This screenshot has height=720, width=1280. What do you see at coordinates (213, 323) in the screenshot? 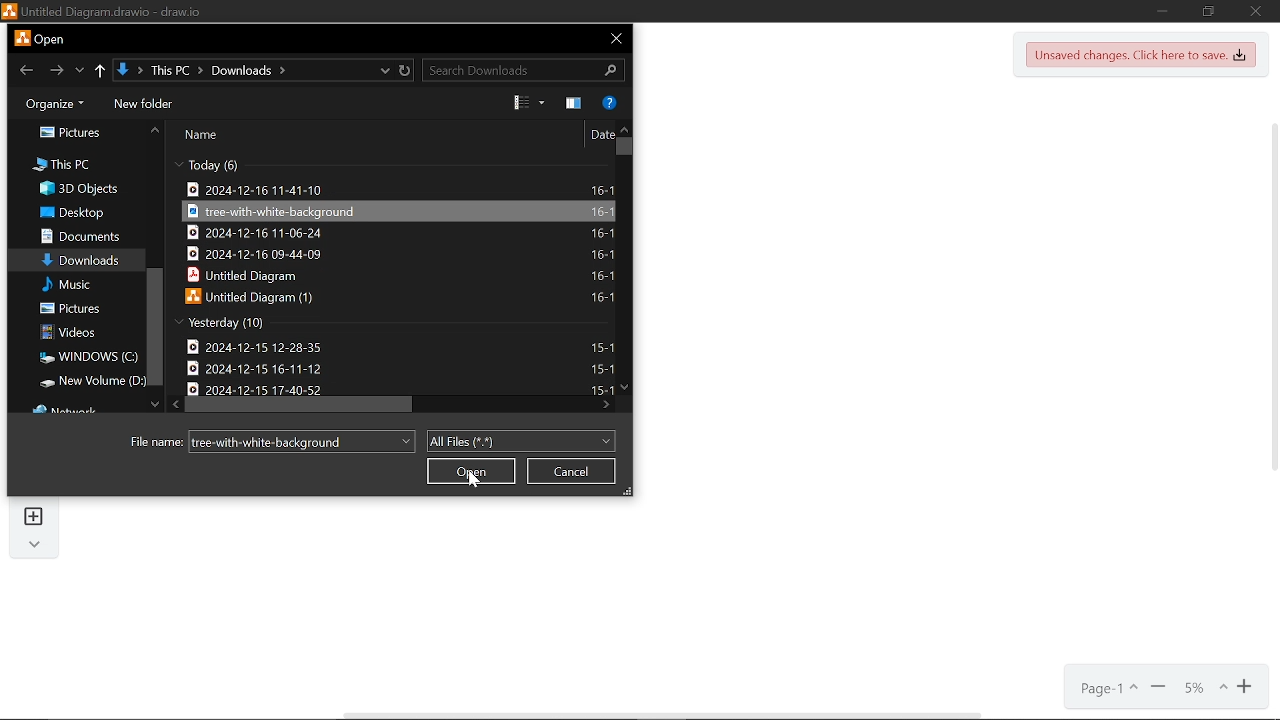
I see `hide files created yesterday` at bounding box center [213, 323].